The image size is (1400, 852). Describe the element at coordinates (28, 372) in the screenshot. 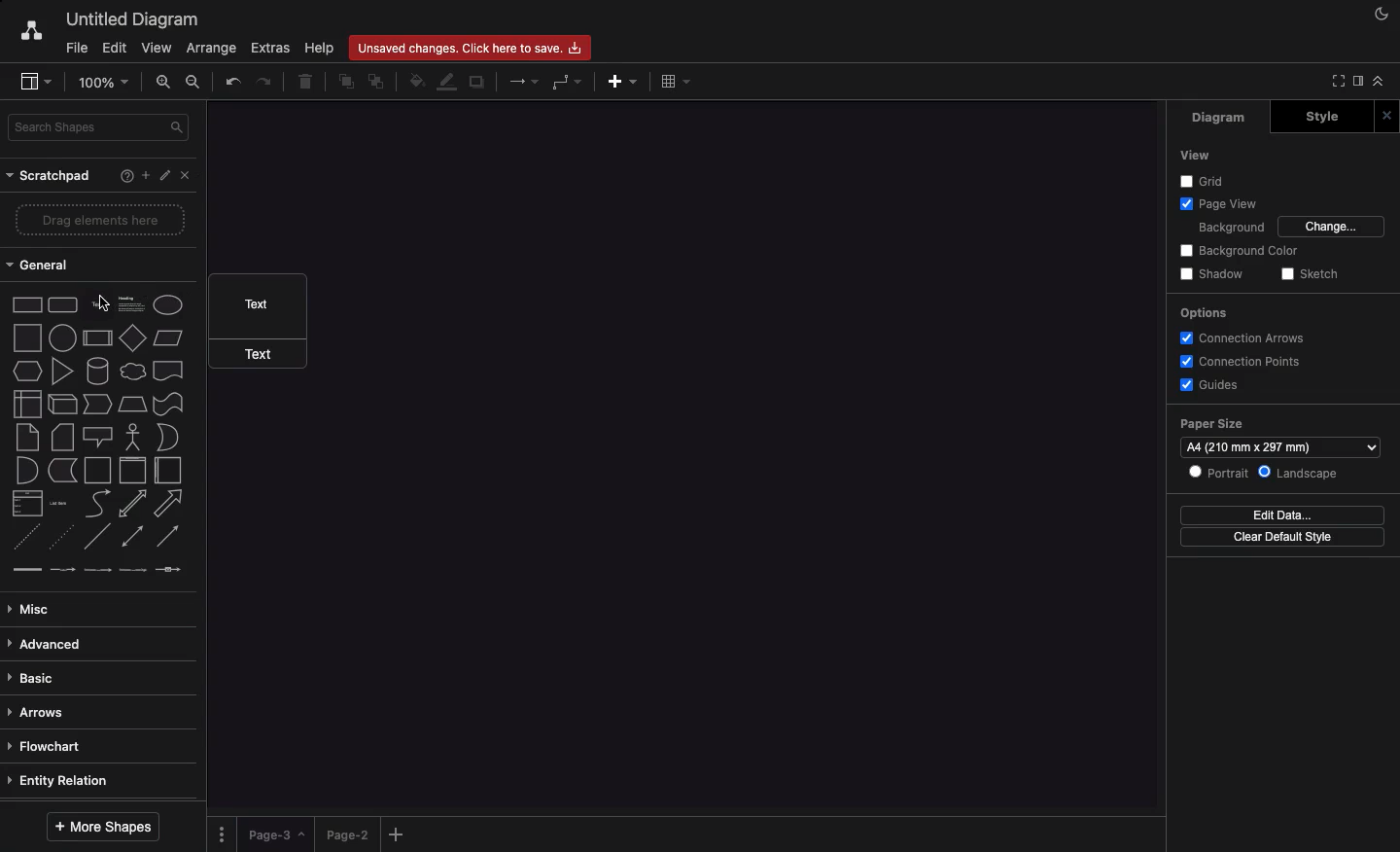

I see `hexagon` at that location.